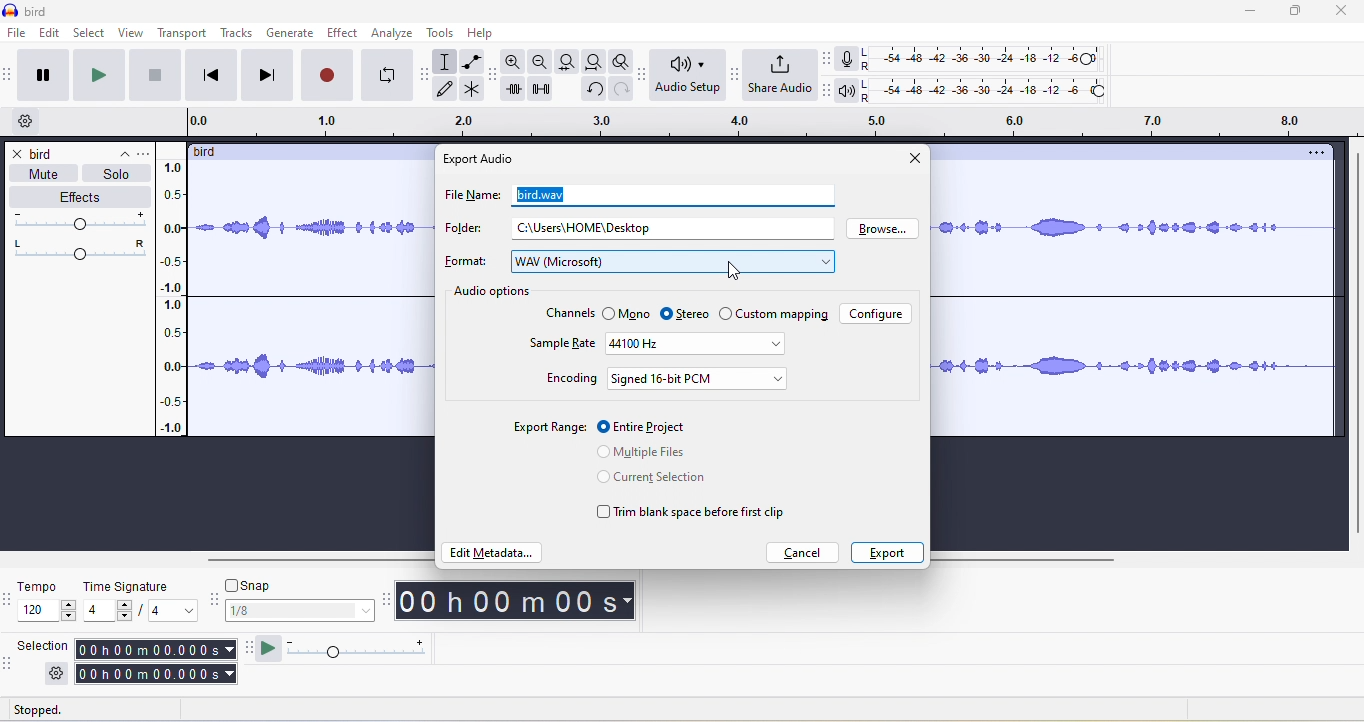  Describe the element at coordinates (217, 603) in the screenshot. I see `audacity snapping toolbar` at that location.